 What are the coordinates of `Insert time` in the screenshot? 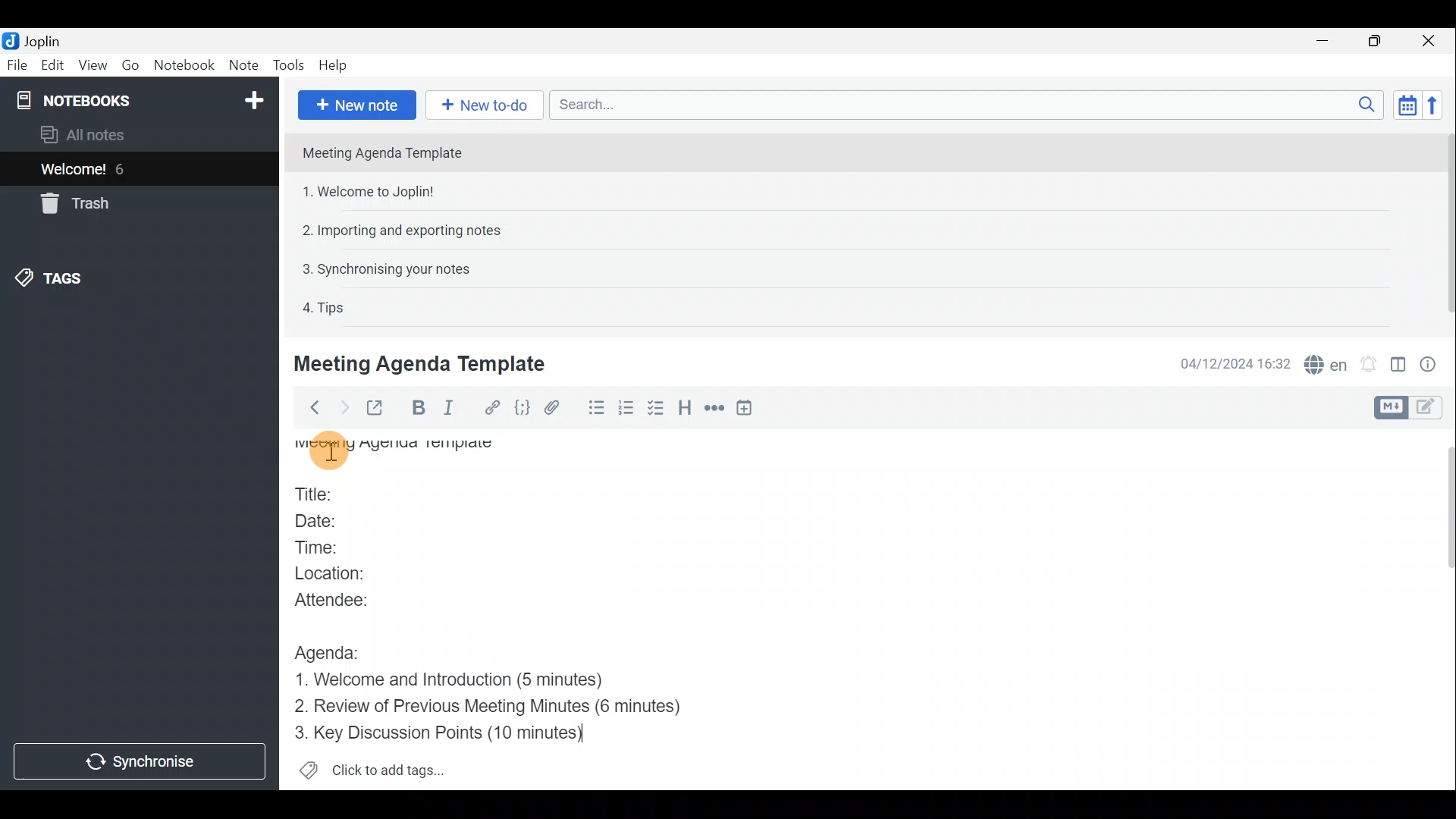 It's located at (748, 410).